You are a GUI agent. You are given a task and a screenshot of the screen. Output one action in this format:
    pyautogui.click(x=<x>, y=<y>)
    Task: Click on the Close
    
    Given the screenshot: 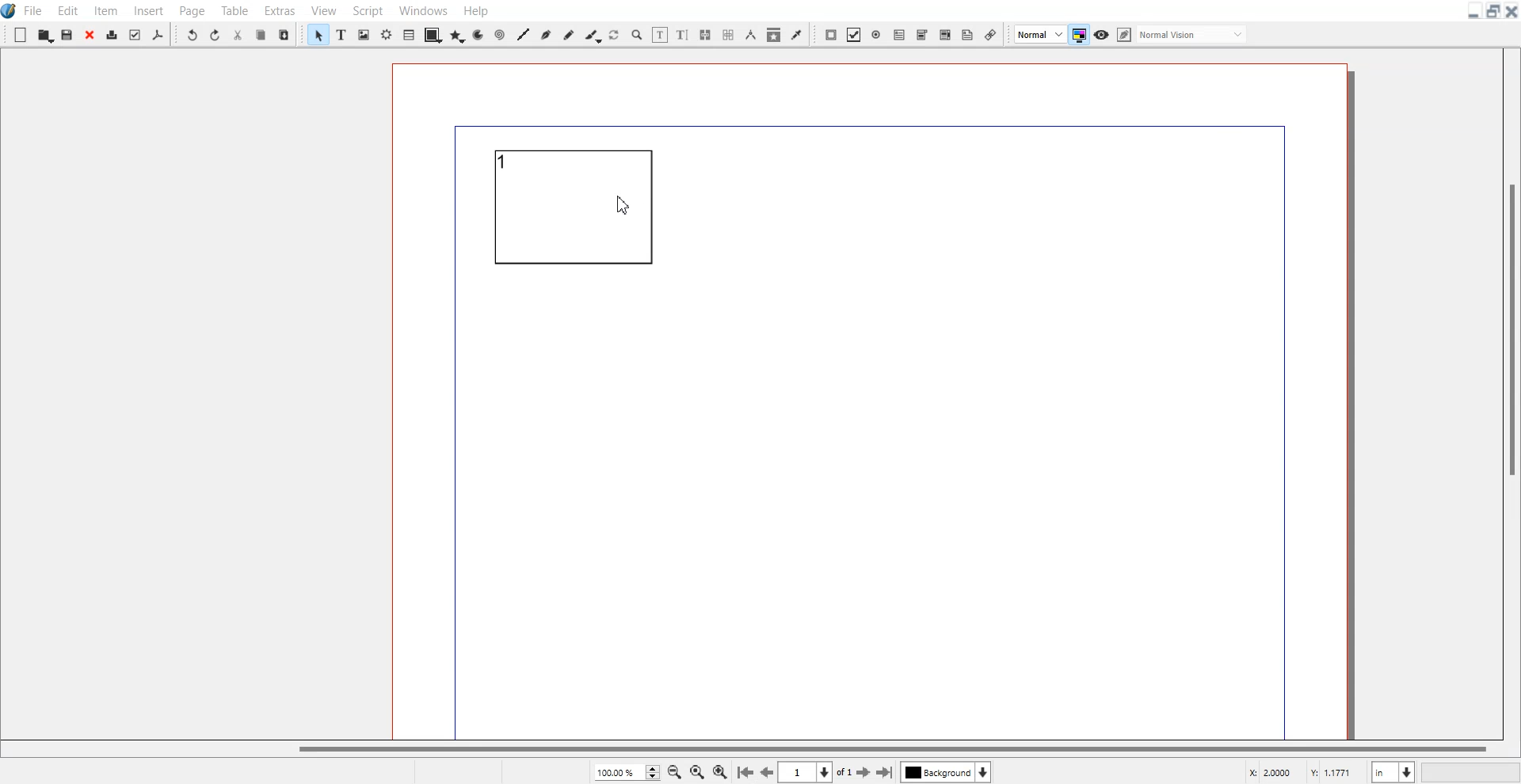 What is the action you would take?
    pyautogui.click(x=90, y=34)
    